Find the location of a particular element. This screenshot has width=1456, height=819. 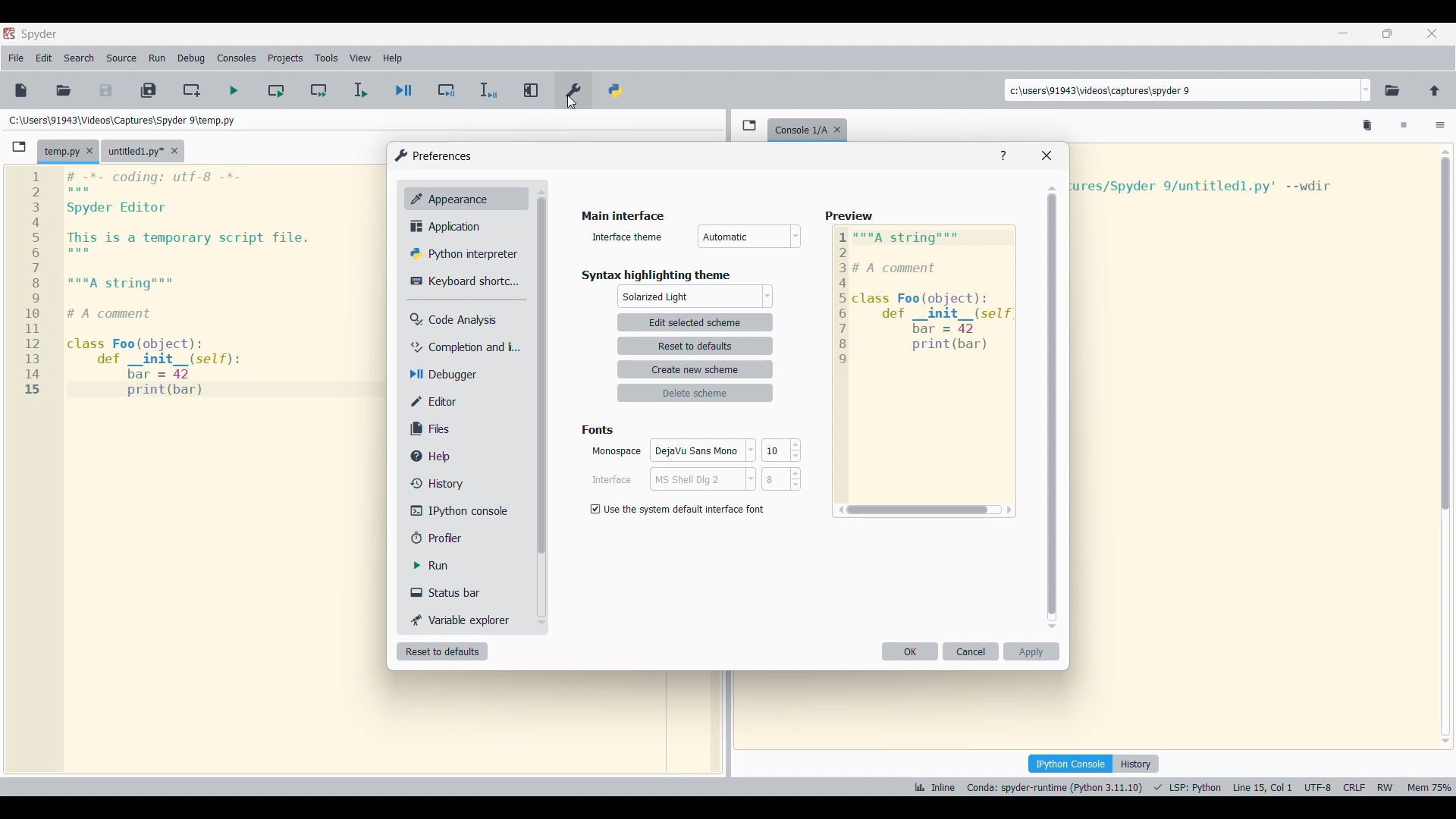

Edit menu is located at coordinates (45, 58).